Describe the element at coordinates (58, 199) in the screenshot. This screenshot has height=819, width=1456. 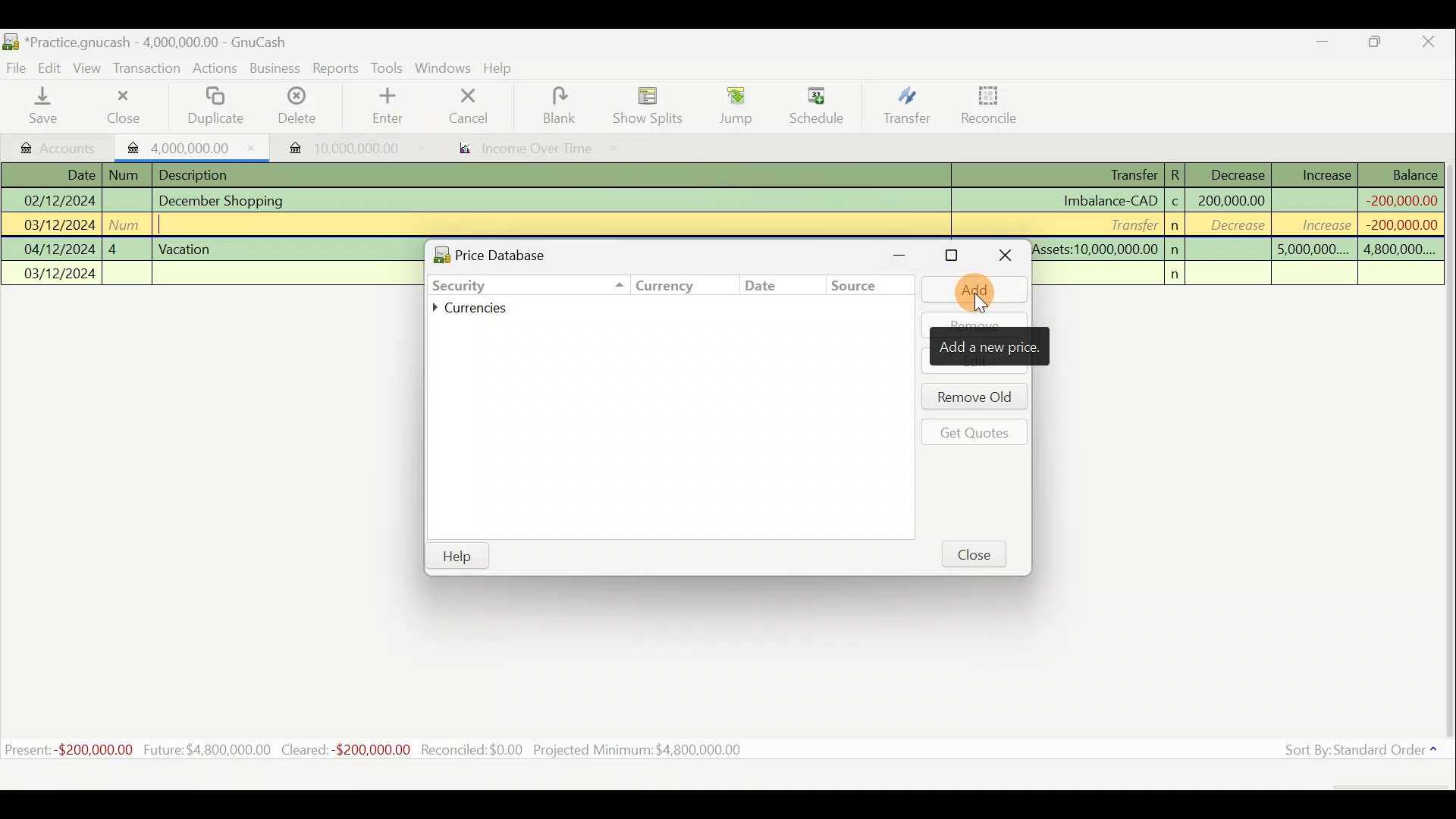
I see `02/12/2024` at that location.